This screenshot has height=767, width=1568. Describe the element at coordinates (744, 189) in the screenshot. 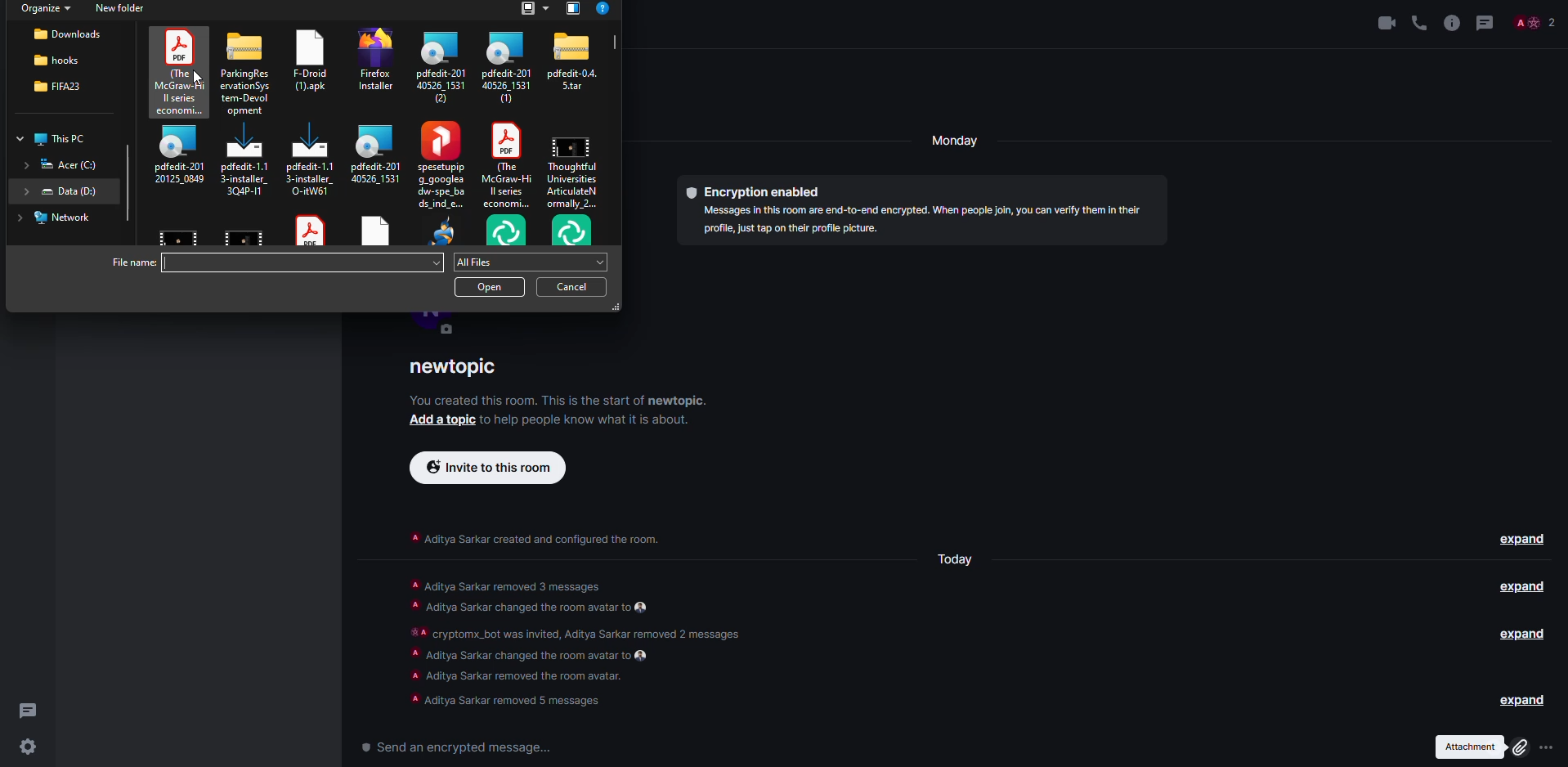

I see `encryption method` at that location.